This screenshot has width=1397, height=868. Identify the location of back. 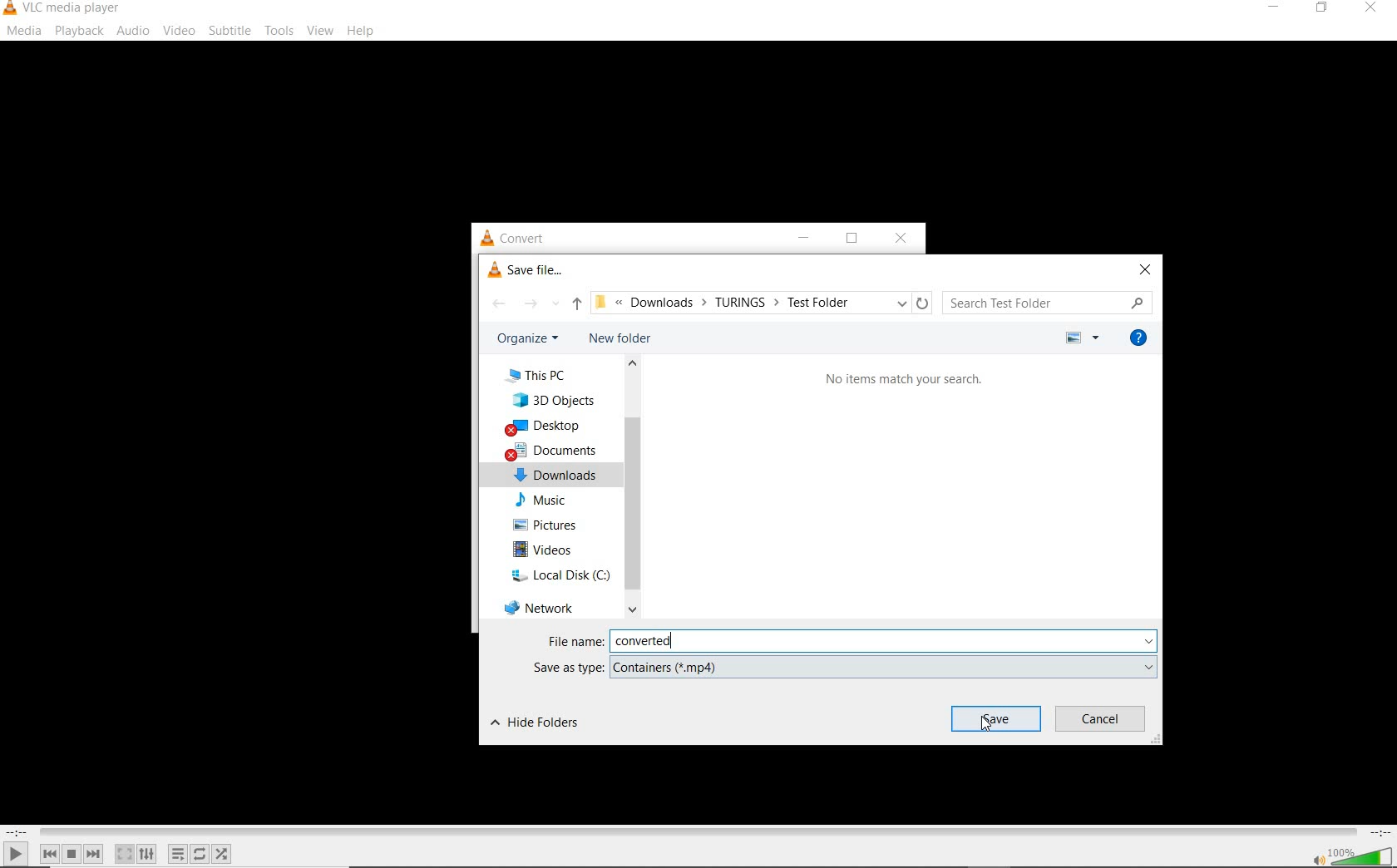
(497, 303).